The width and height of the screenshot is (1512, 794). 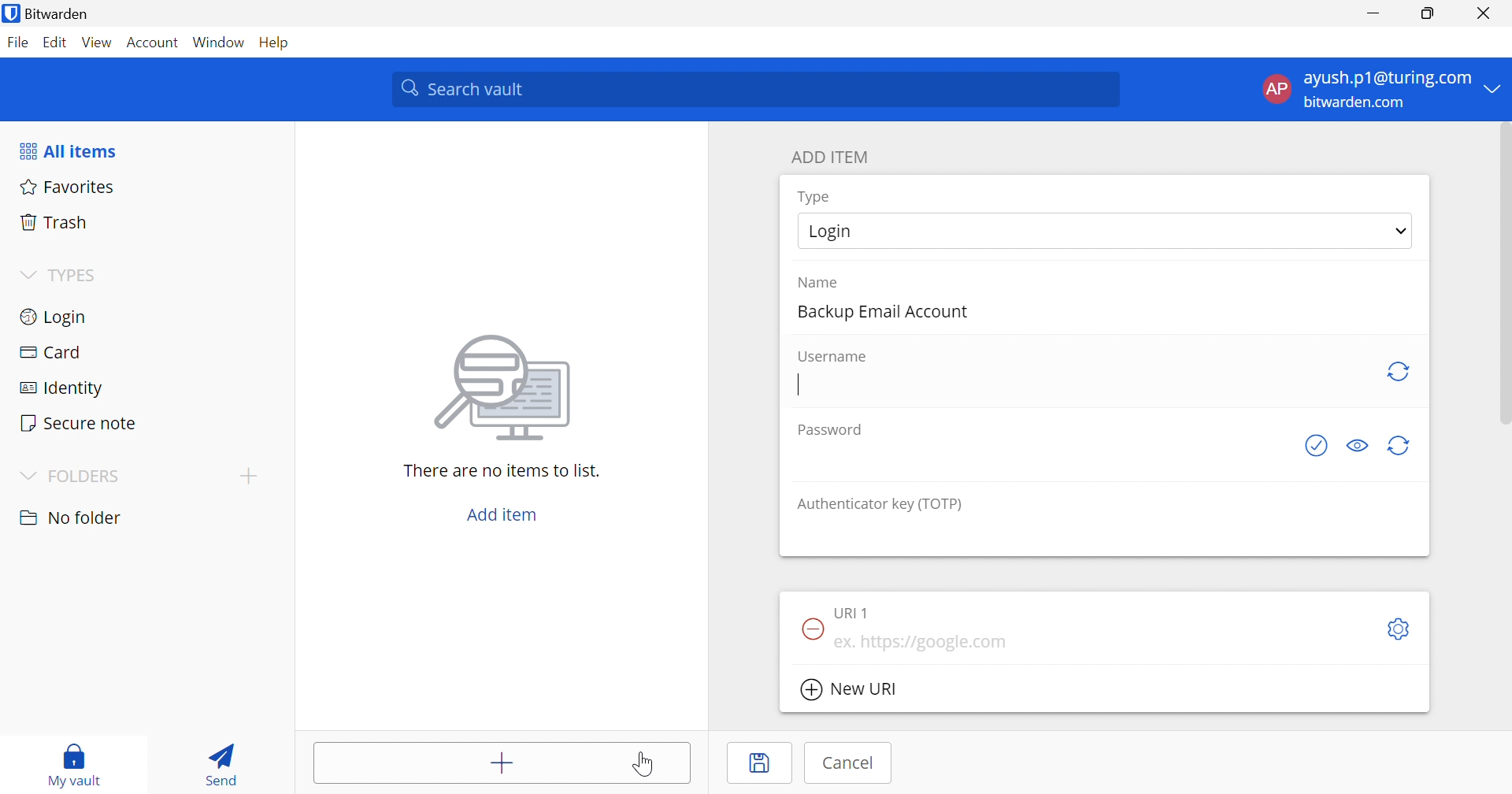 What do you see at coordinates (154, 40) in the screenshot?
I see `Account` at bounding box center [154, 40].